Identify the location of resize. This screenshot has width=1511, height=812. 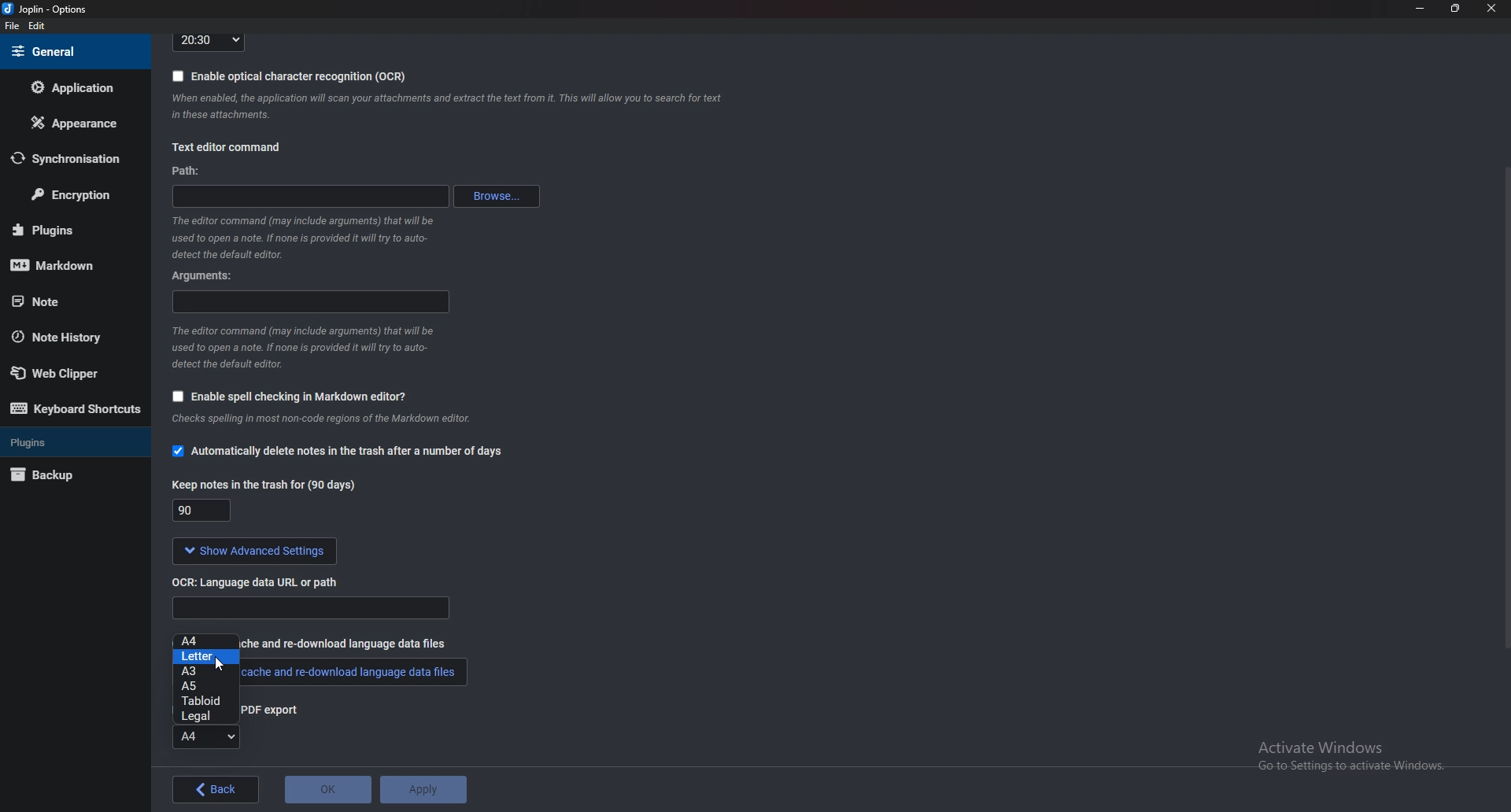
(1454, 8).